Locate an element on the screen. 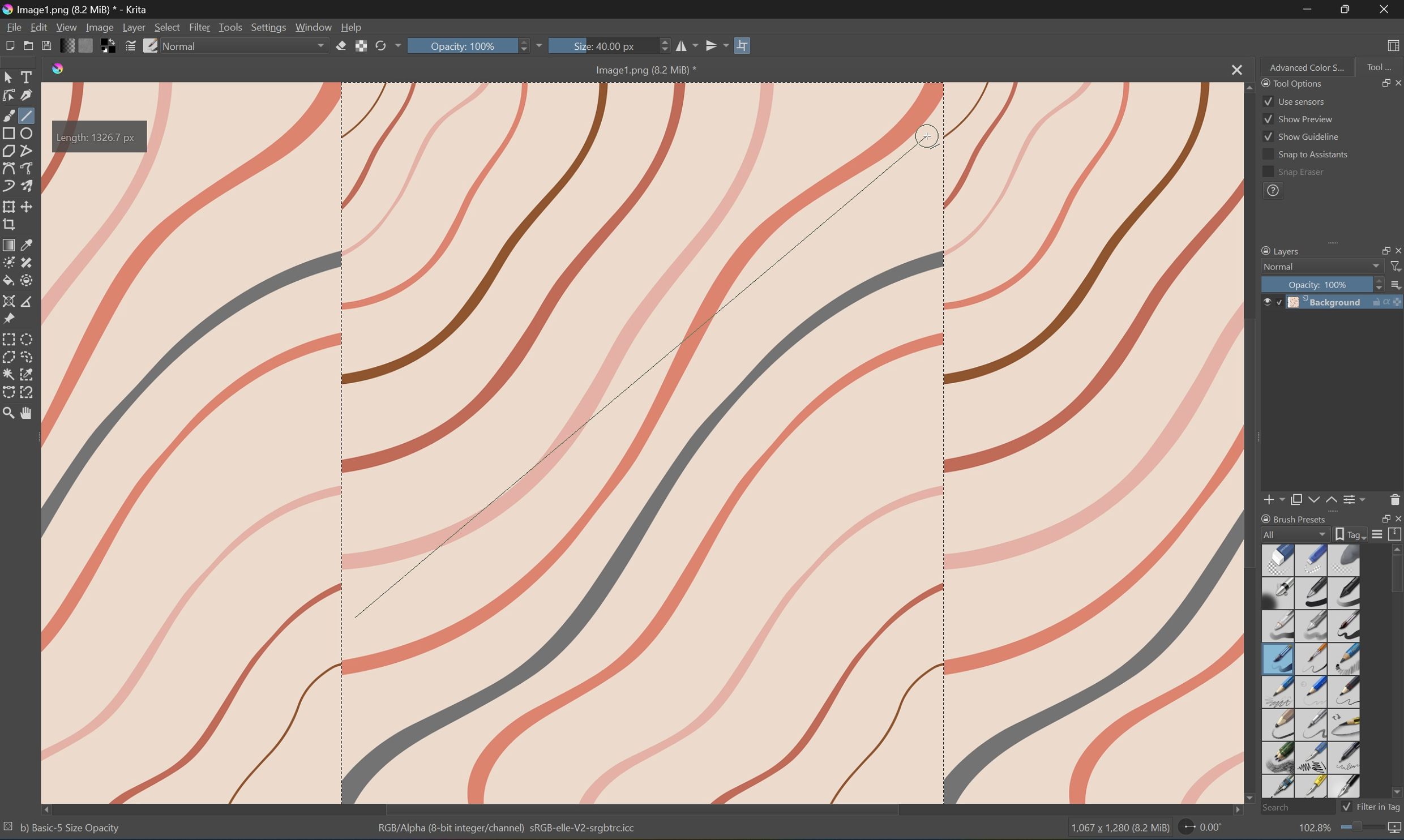 Image resolution: width=1404 pixels, height=840 pixels. Tool Options is located at coordinates (1290, 82).